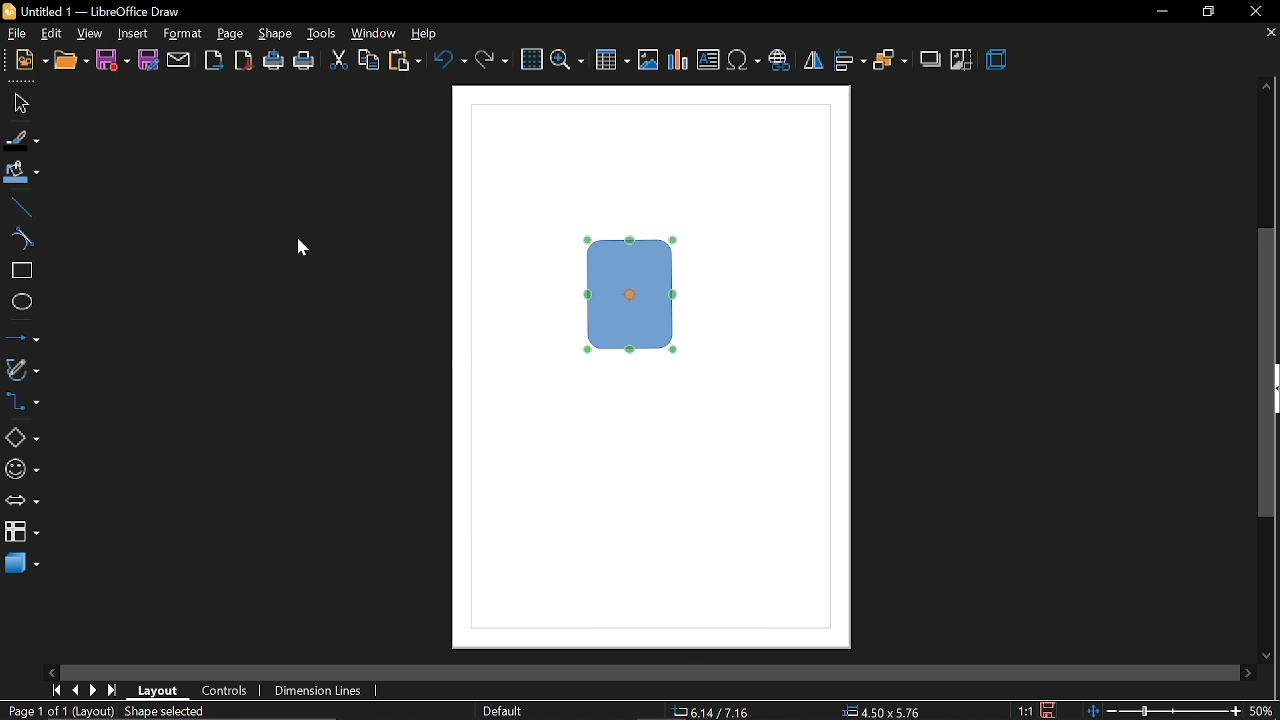 The height and width of the screenshot is (720, 1280). Describe the element at coordinates (20, 304) in the screenshot. I see `ellipse` at that location.